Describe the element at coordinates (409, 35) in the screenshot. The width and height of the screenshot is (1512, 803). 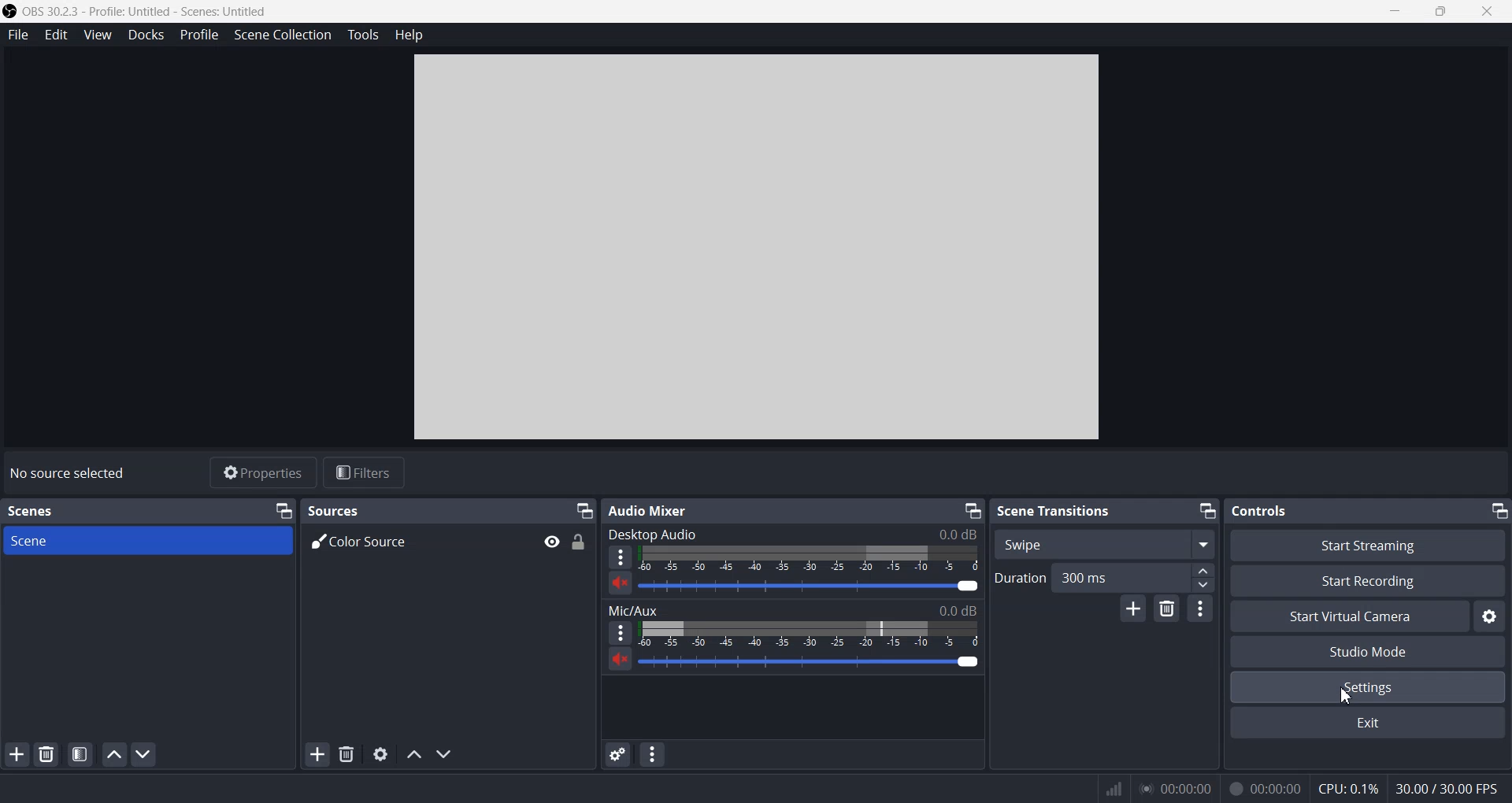
I see `Help` at that location.